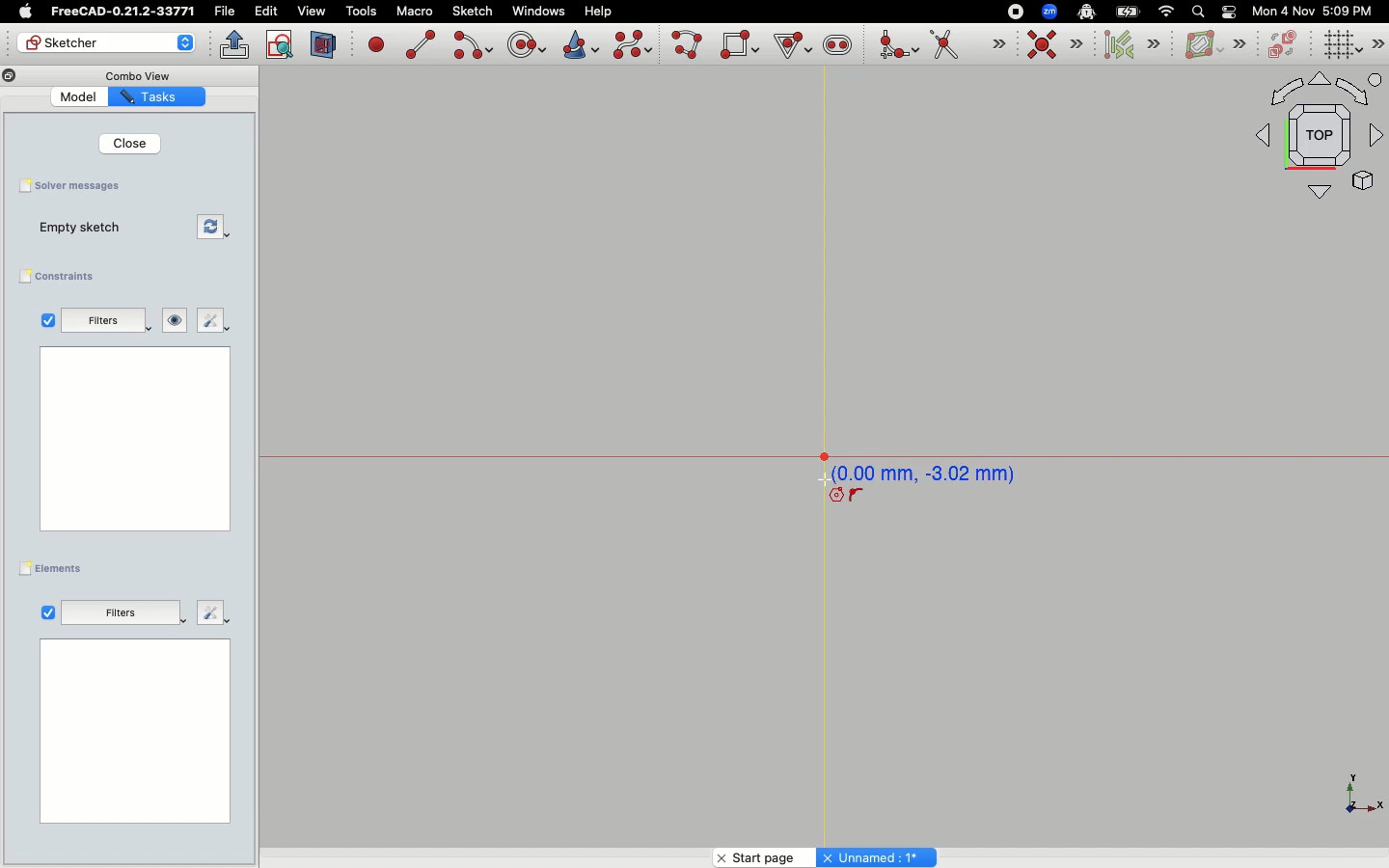 This screenshot has width=1389, height=868. What do you see at coordinates (1213, 45) in the screenshot?
I see `B-spline information layer` at bounding box center [1213, 45].